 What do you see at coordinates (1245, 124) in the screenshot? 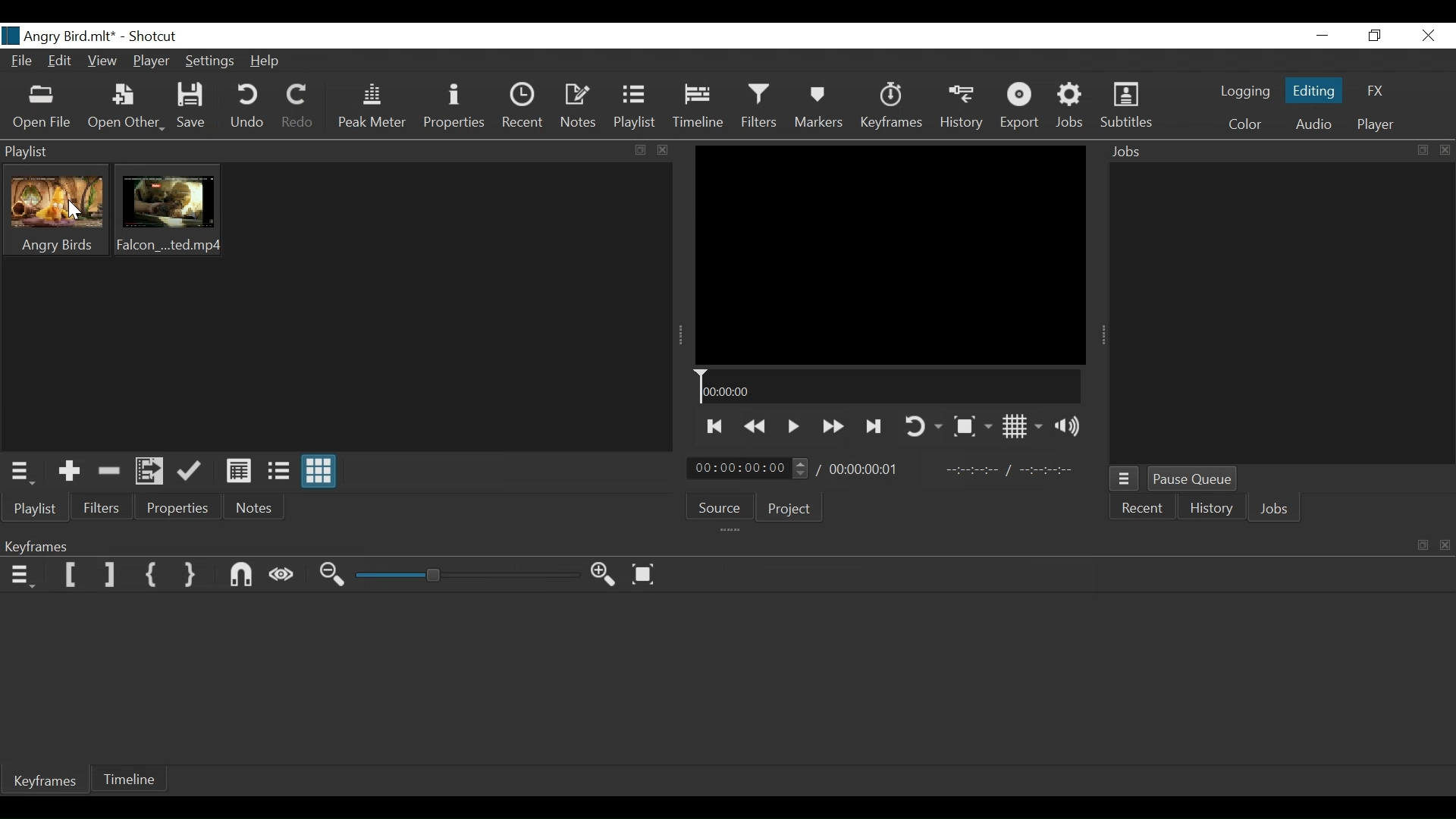
I see `Color` at bounding box center [1245, 124].